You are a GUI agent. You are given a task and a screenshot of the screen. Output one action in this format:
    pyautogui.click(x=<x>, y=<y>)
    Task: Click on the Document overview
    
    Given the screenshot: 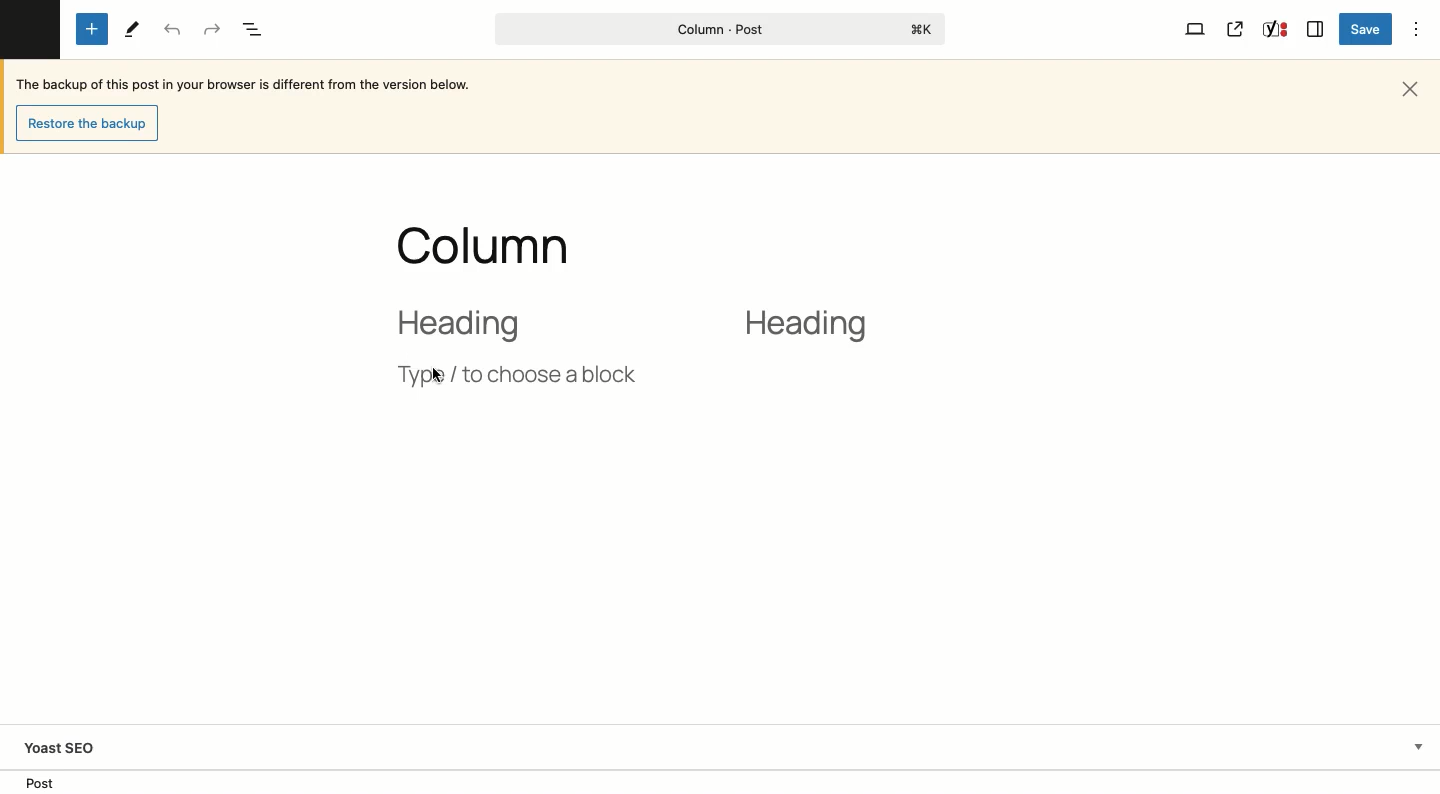 What is the action you would take?
    pyautogui.click(x=256, y=31)
    